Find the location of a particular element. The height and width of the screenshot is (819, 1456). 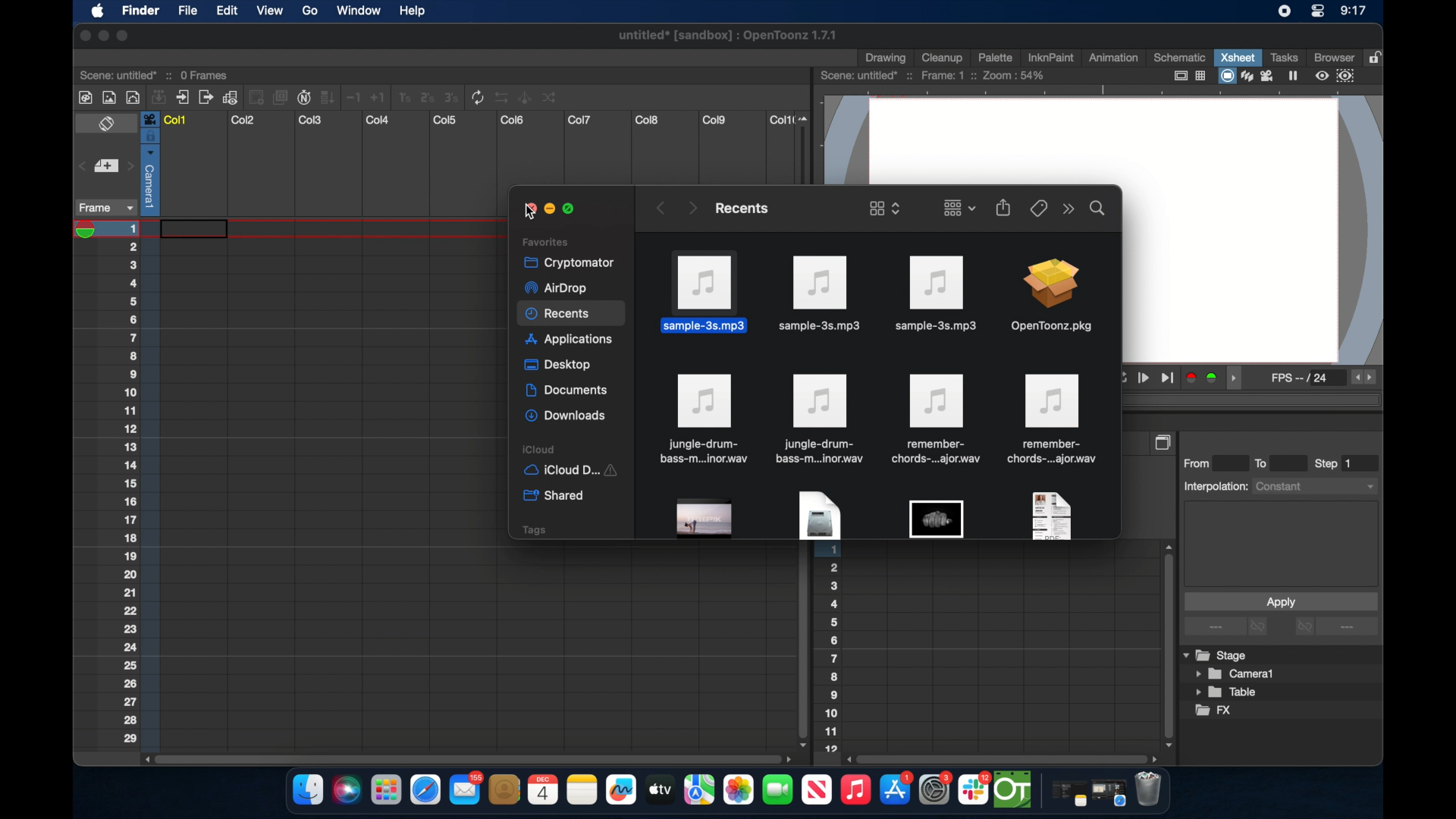

safari is located at coordinates (1109, 793).